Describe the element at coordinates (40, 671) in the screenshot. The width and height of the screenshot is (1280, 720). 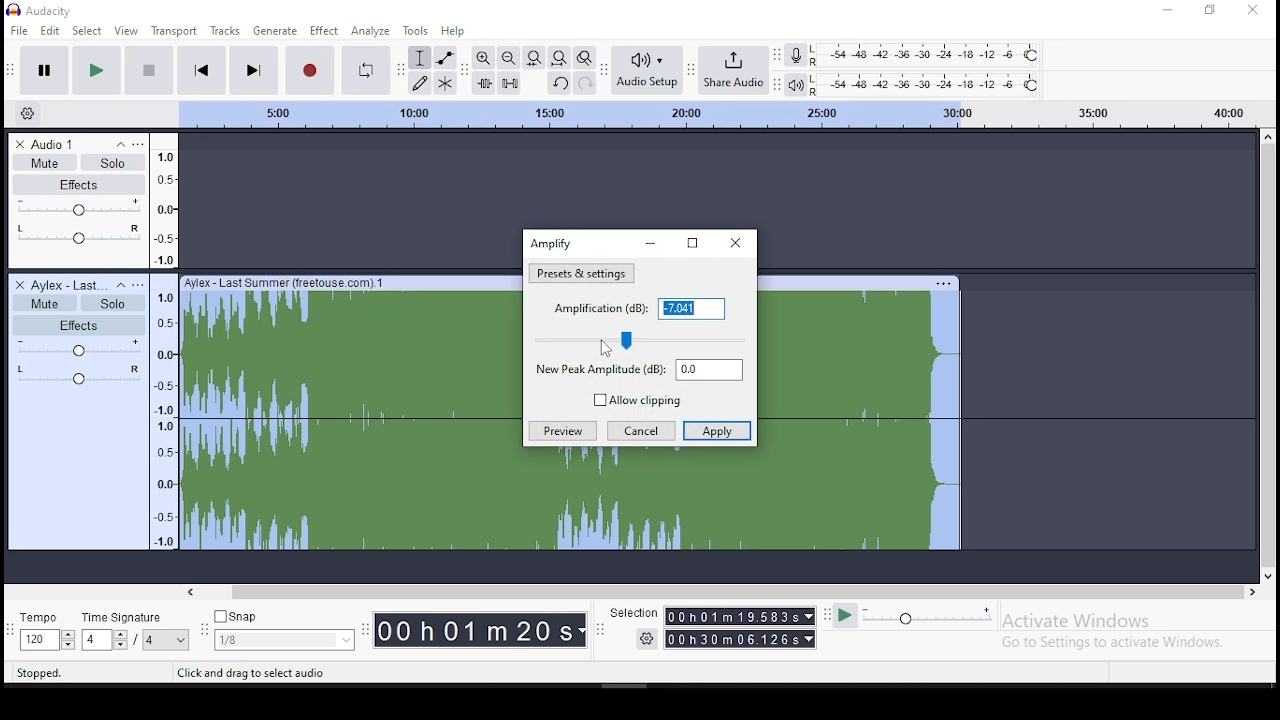
I see `stopped` at that location.